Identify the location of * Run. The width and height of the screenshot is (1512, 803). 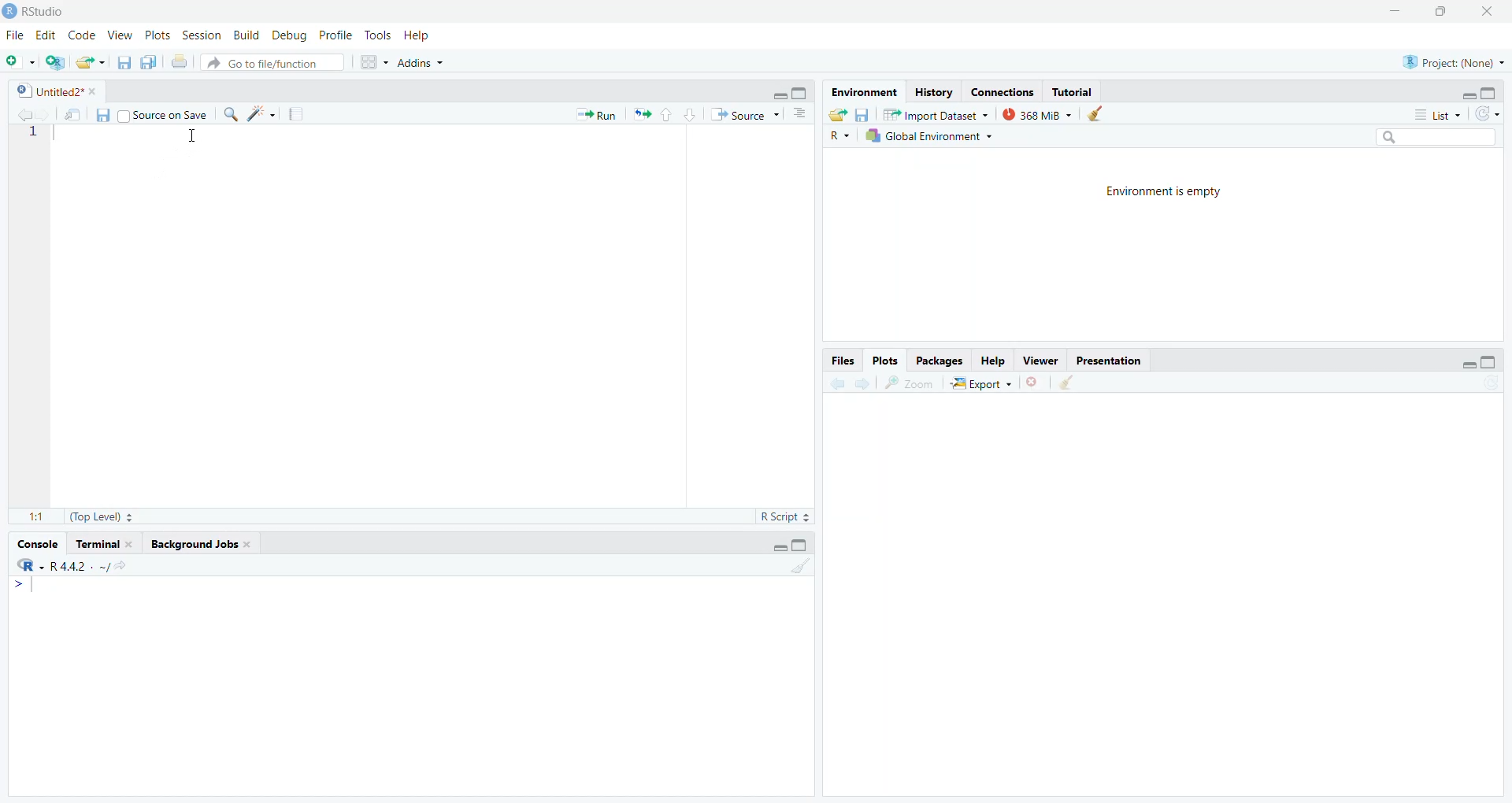
(595, 115).